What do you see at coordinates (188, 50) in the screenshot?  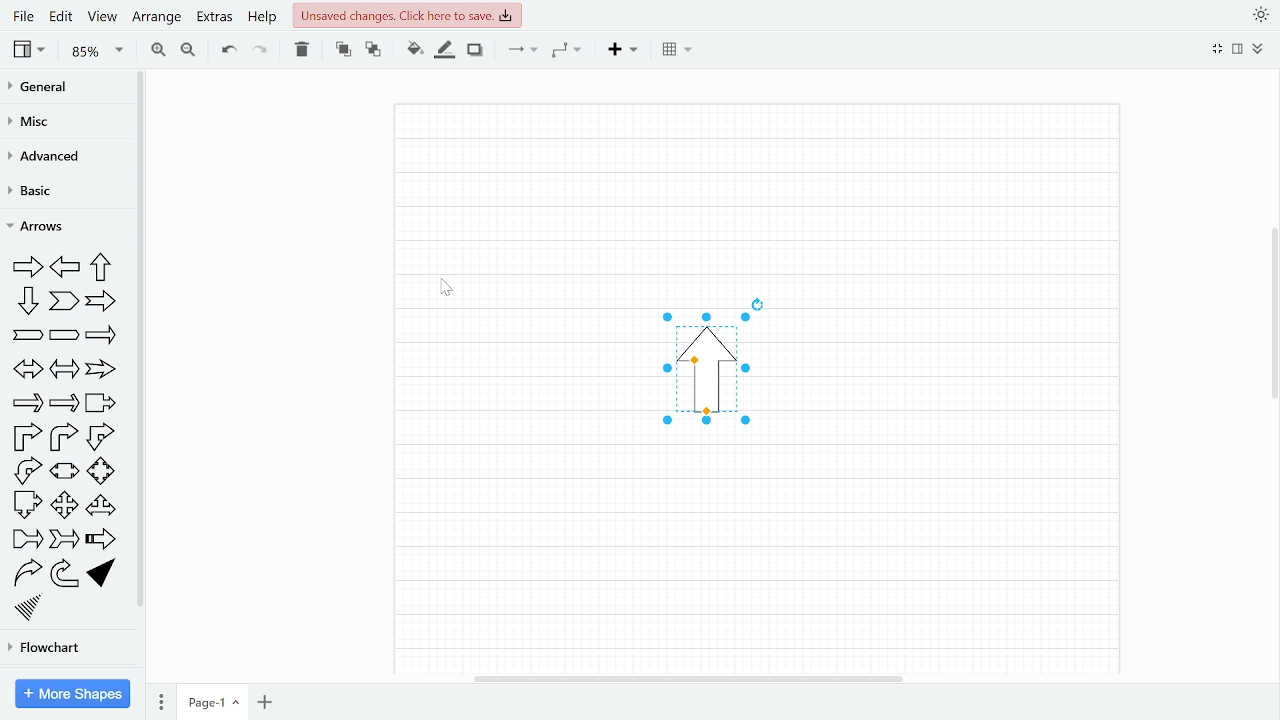 I see `Zoom out` at bounding box center [188, 50].